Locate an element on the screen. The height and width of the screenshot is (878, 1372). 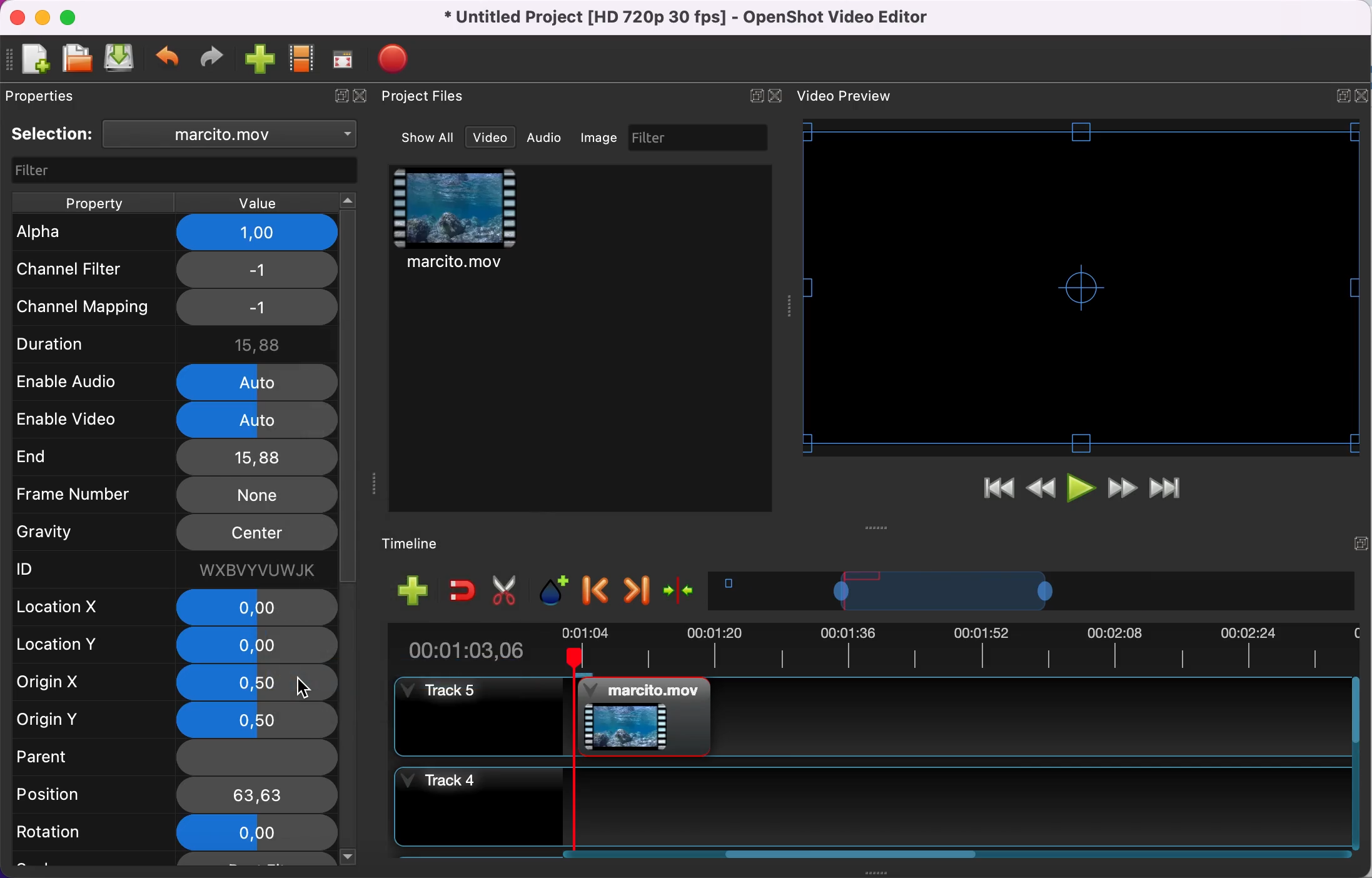
Position 63,63 is located at coordinates (172, 795).